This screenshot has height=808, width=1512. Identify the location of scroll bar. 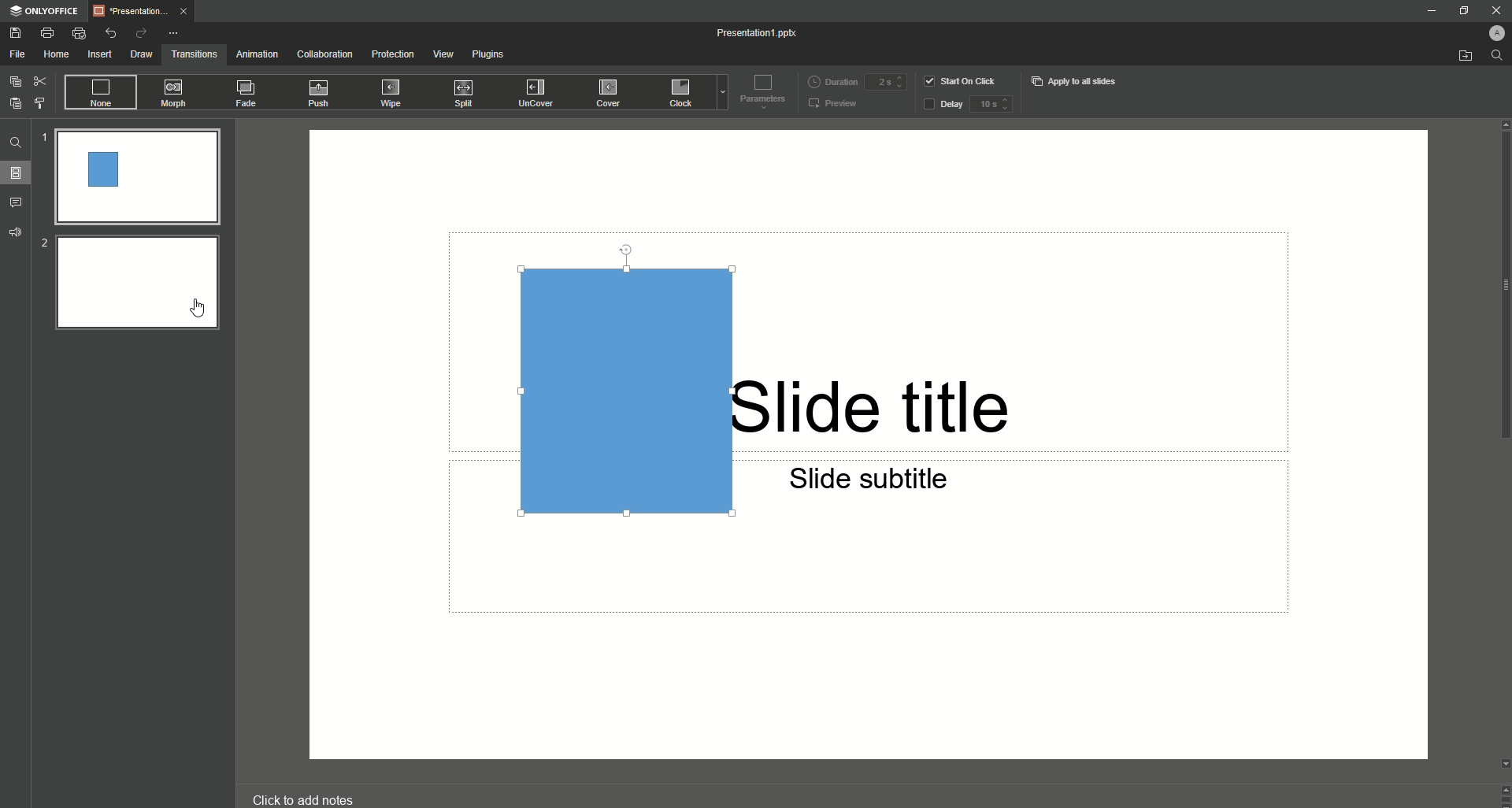
(1503, 285).